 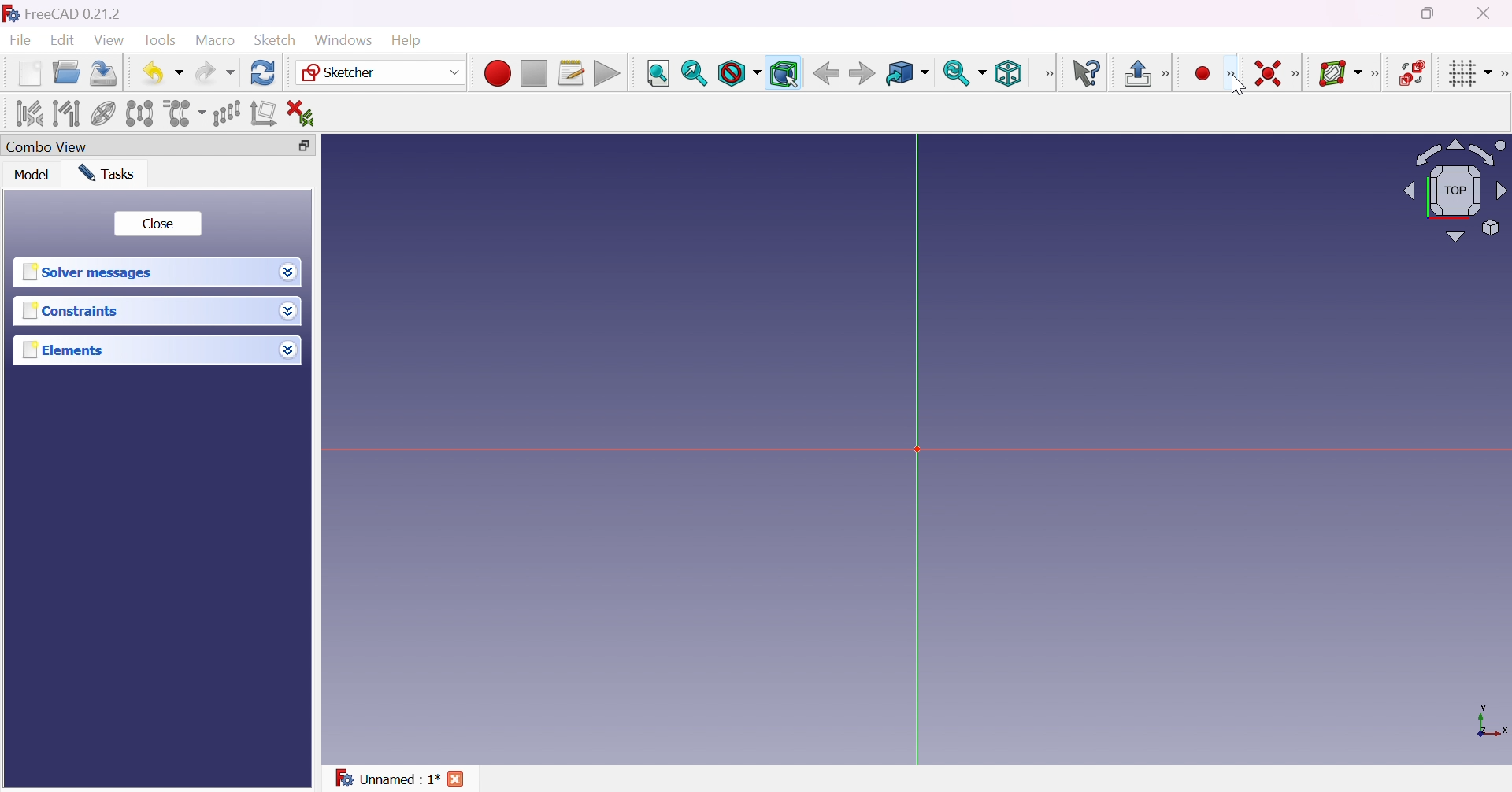 I want to click on Remove axis alignment, so click(x=265, y=112).